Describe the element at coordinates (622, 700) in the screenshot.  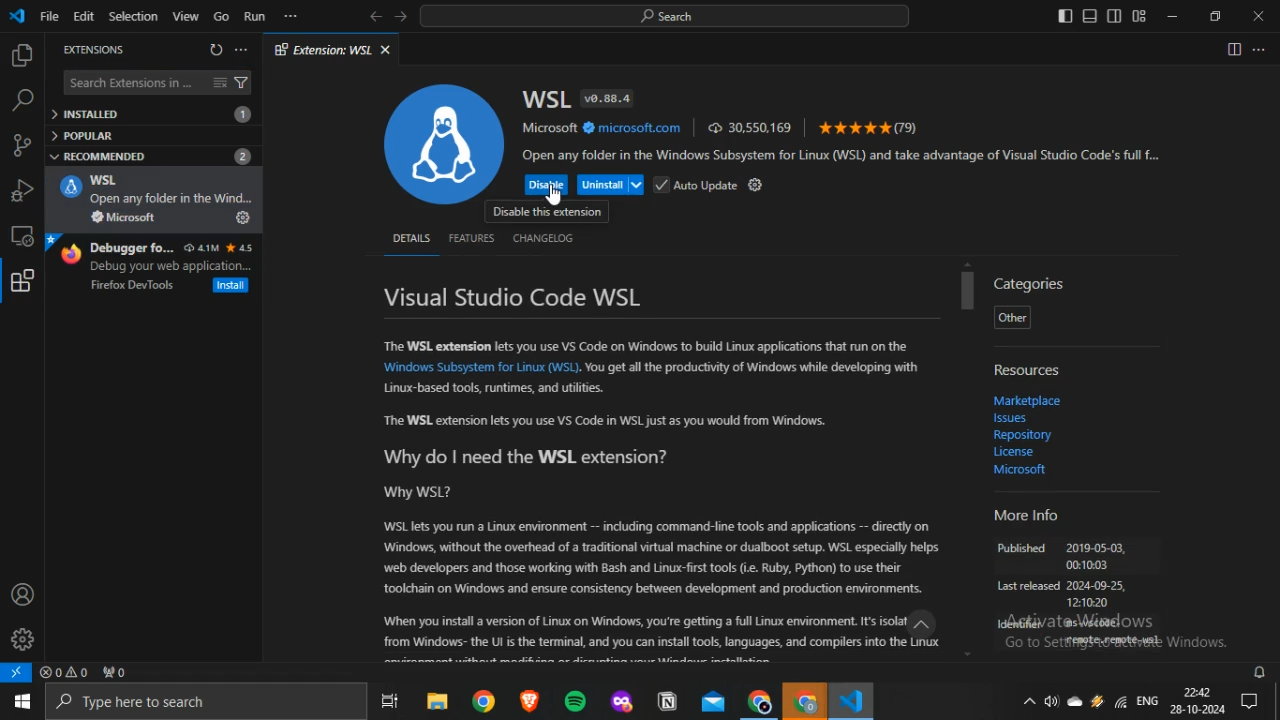
I see `mozilla firefox` at that location.